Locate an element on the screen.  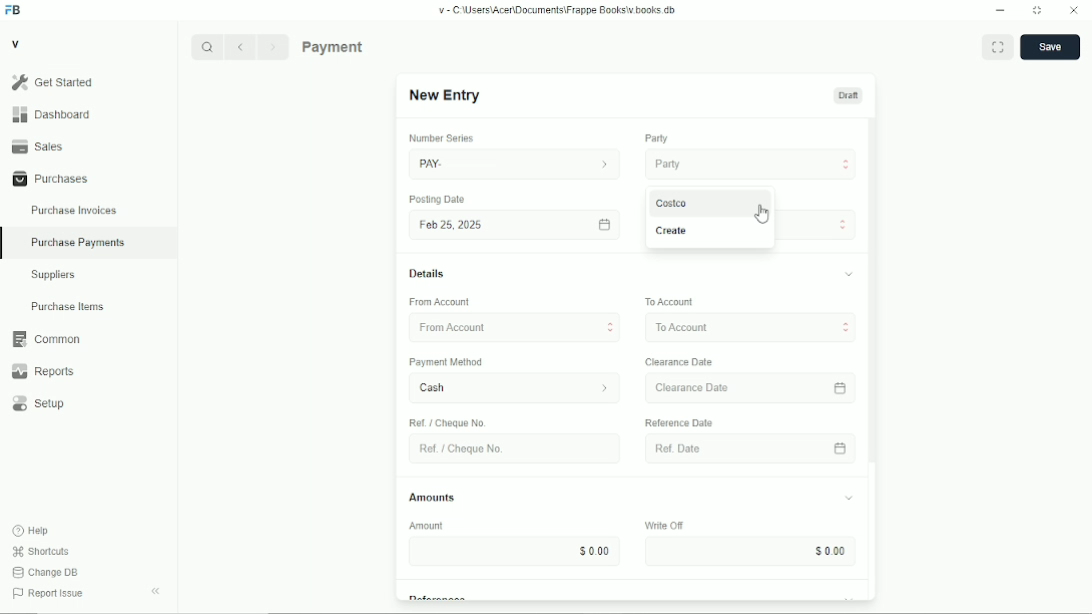
Frappe Books logo is located at coordinates (12, 10).